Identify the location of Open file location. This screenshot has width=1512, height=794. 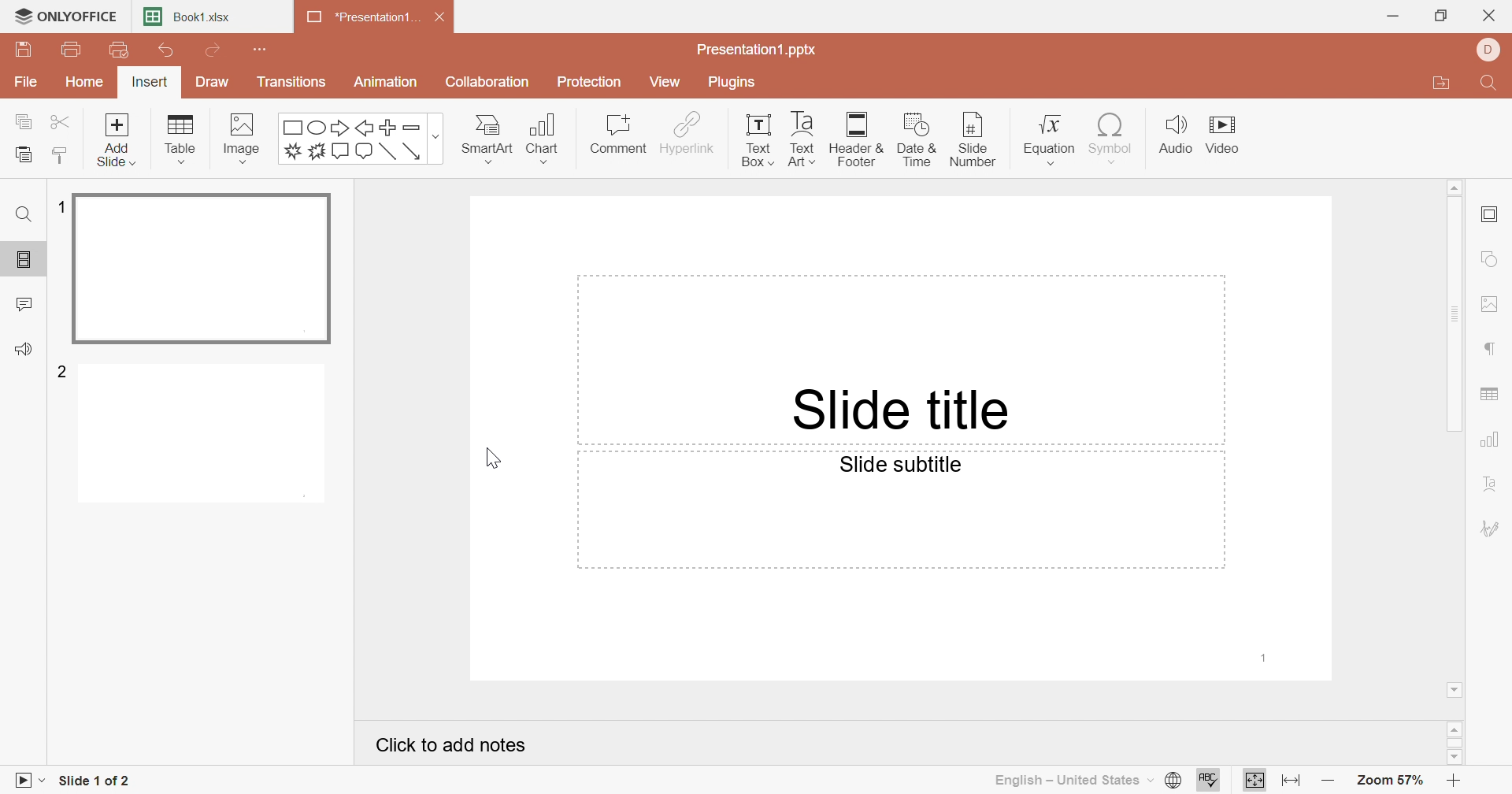
(1440, 85).